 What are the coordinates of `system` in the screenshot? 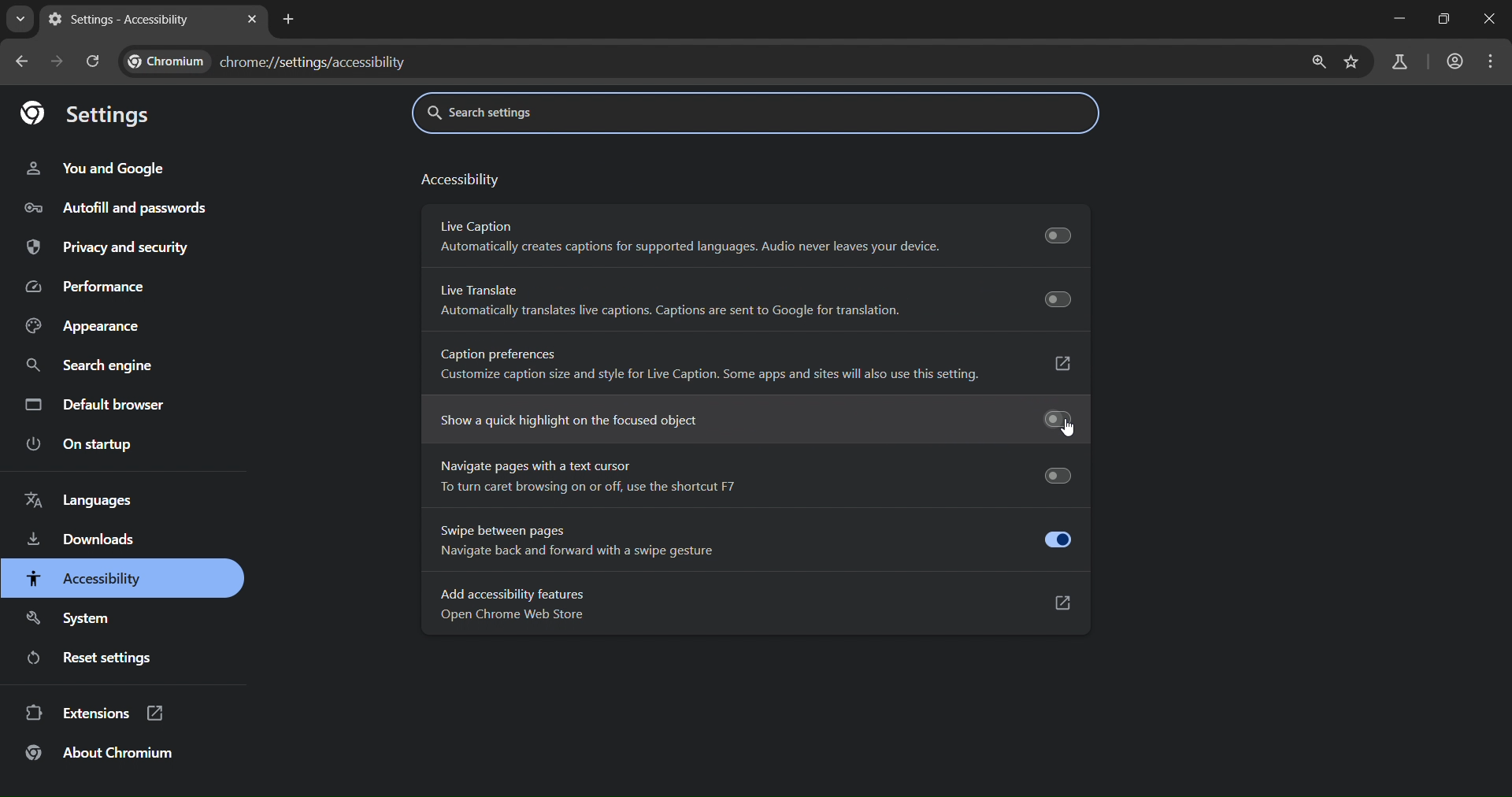 It's located at (68, 621).